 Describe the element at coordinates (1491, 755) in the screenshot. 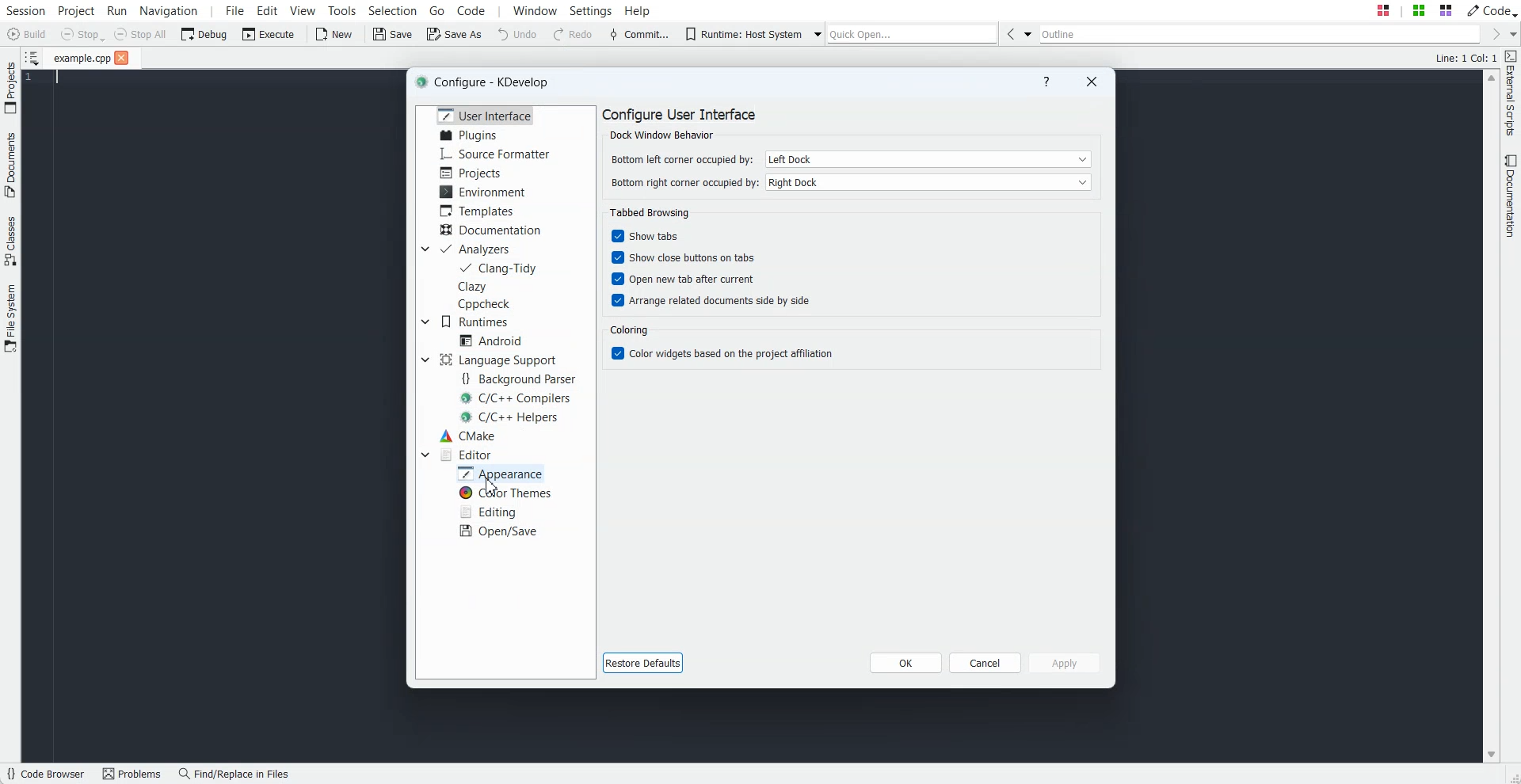

I see `Scroll down` at that location.